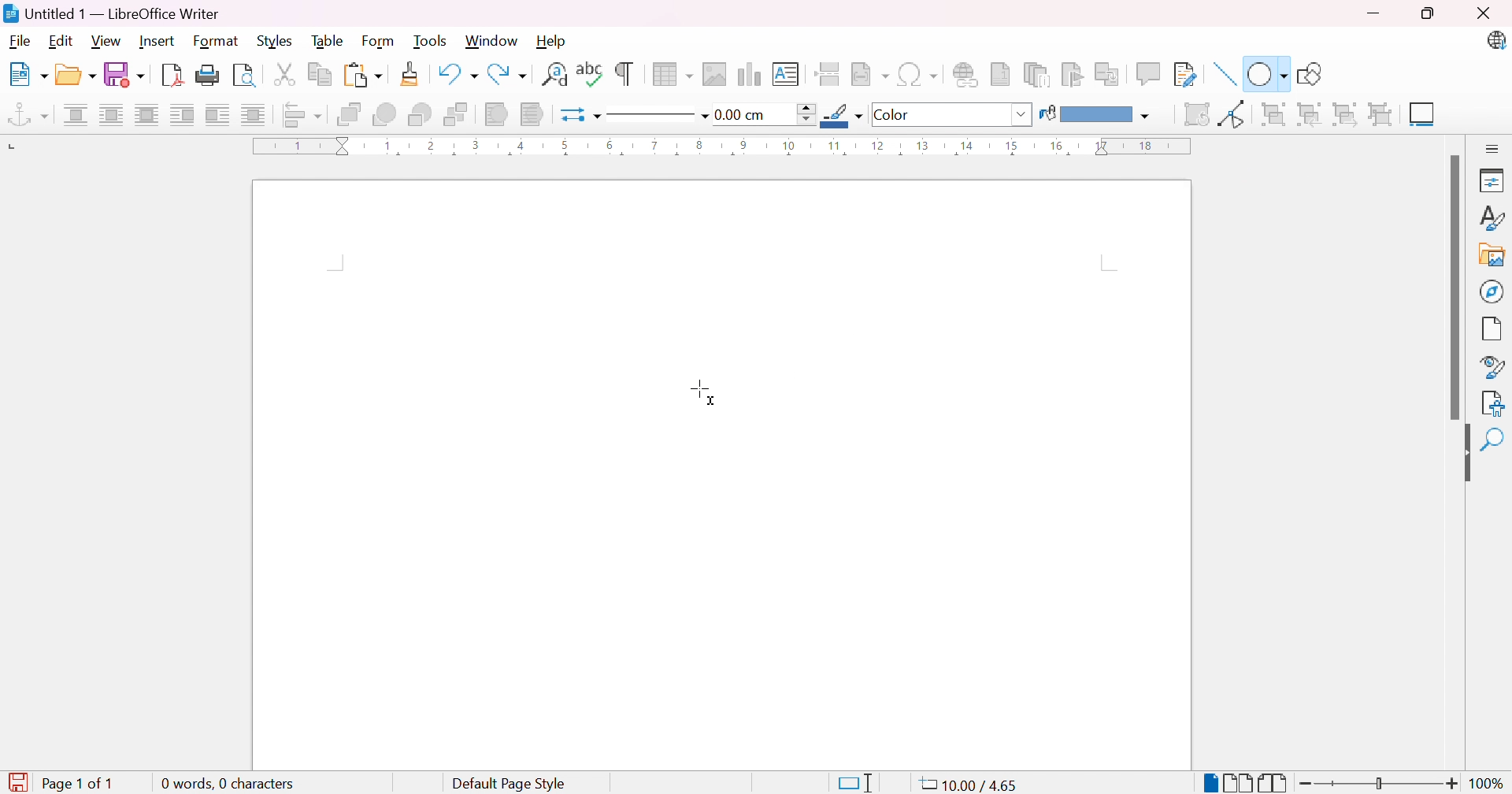  I want to click on Bring to front, so click(349, 114).